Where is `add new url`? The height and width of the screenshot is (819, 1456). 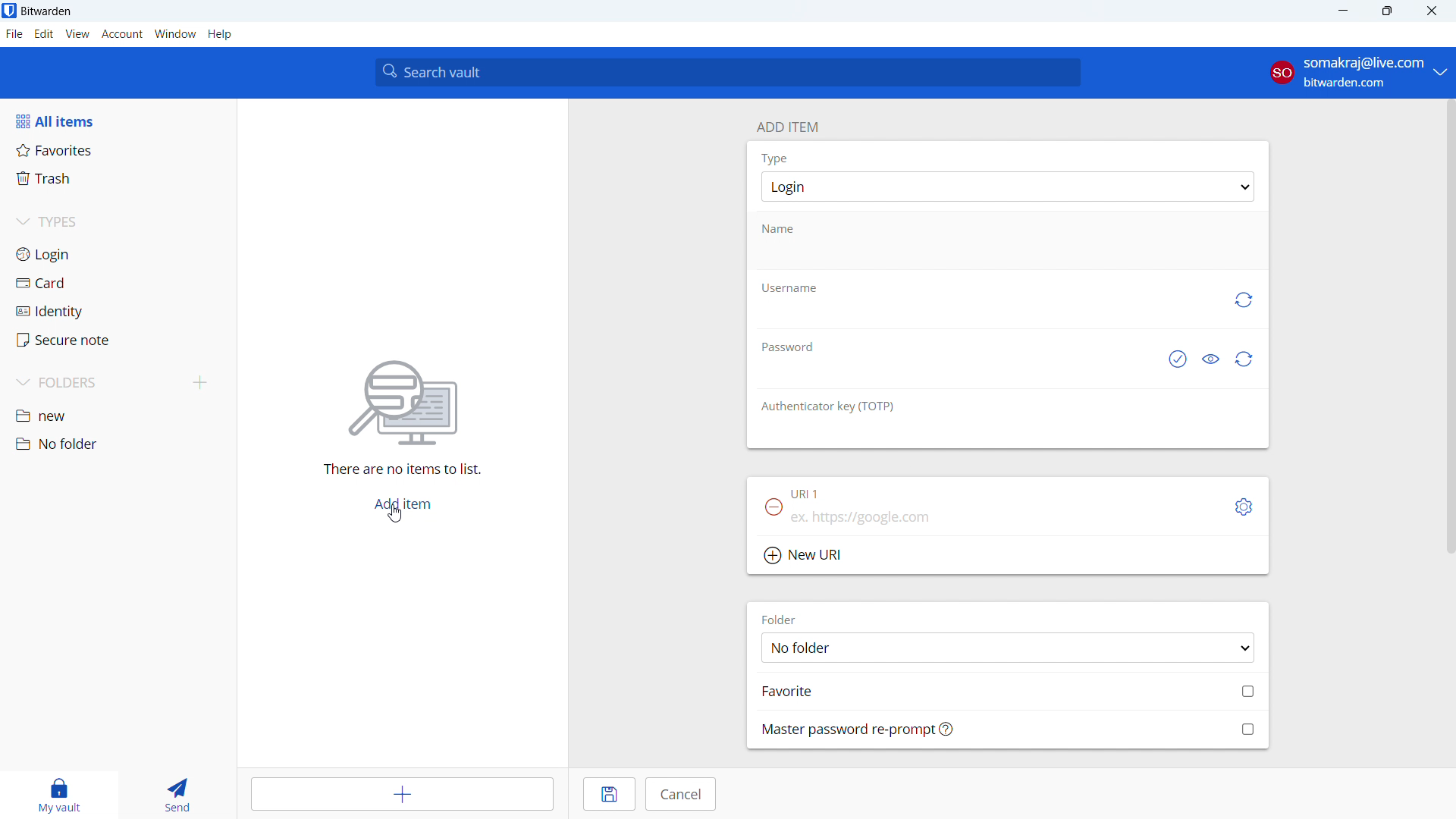
add new url is located at coordinates (1008, 557).